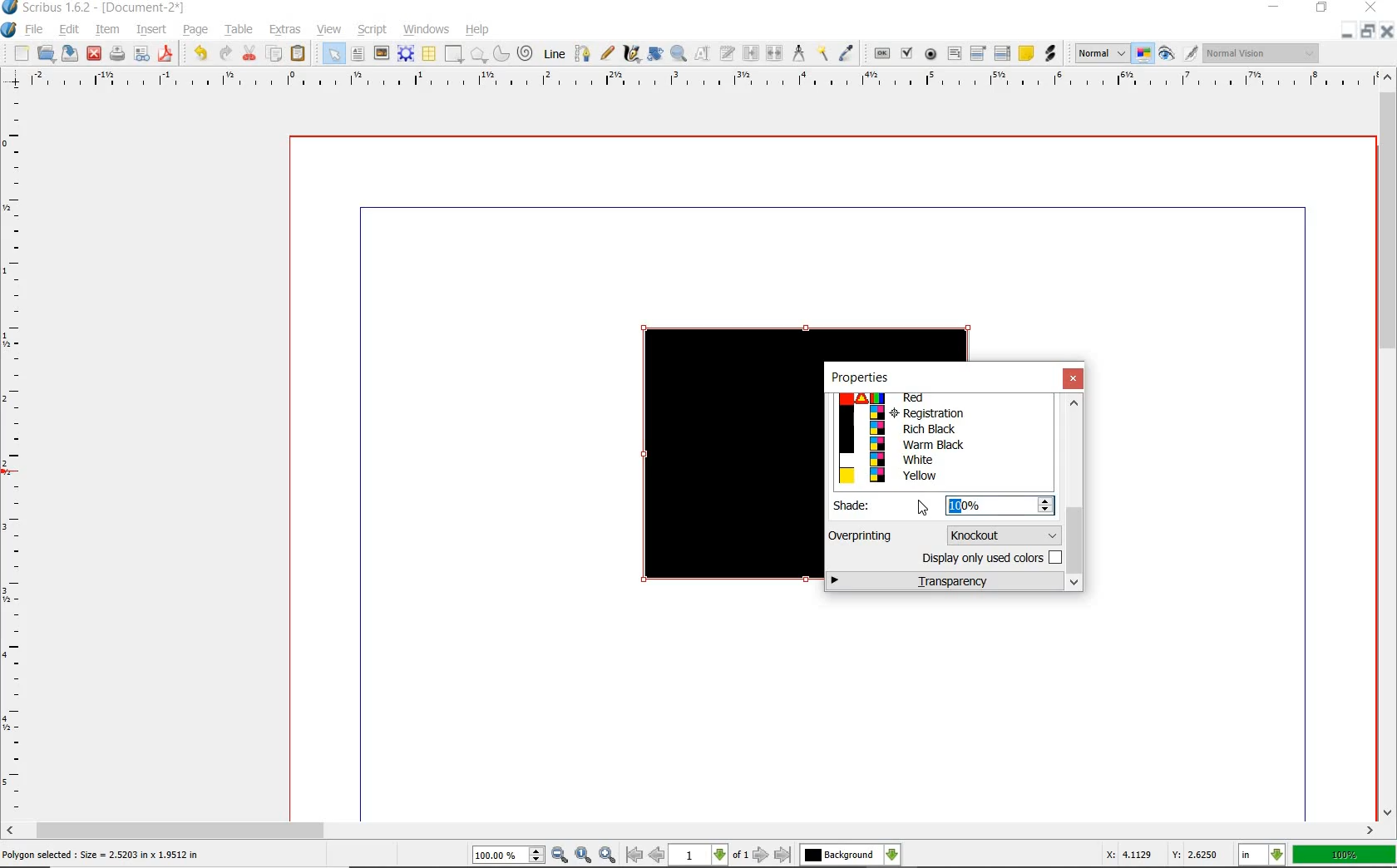 Image resolution: width=1397 pixels, height=868 pixels. What do you see at coordinates (299, 55) in the screenshot?
I see `paste` at bounding box center [299, 55].